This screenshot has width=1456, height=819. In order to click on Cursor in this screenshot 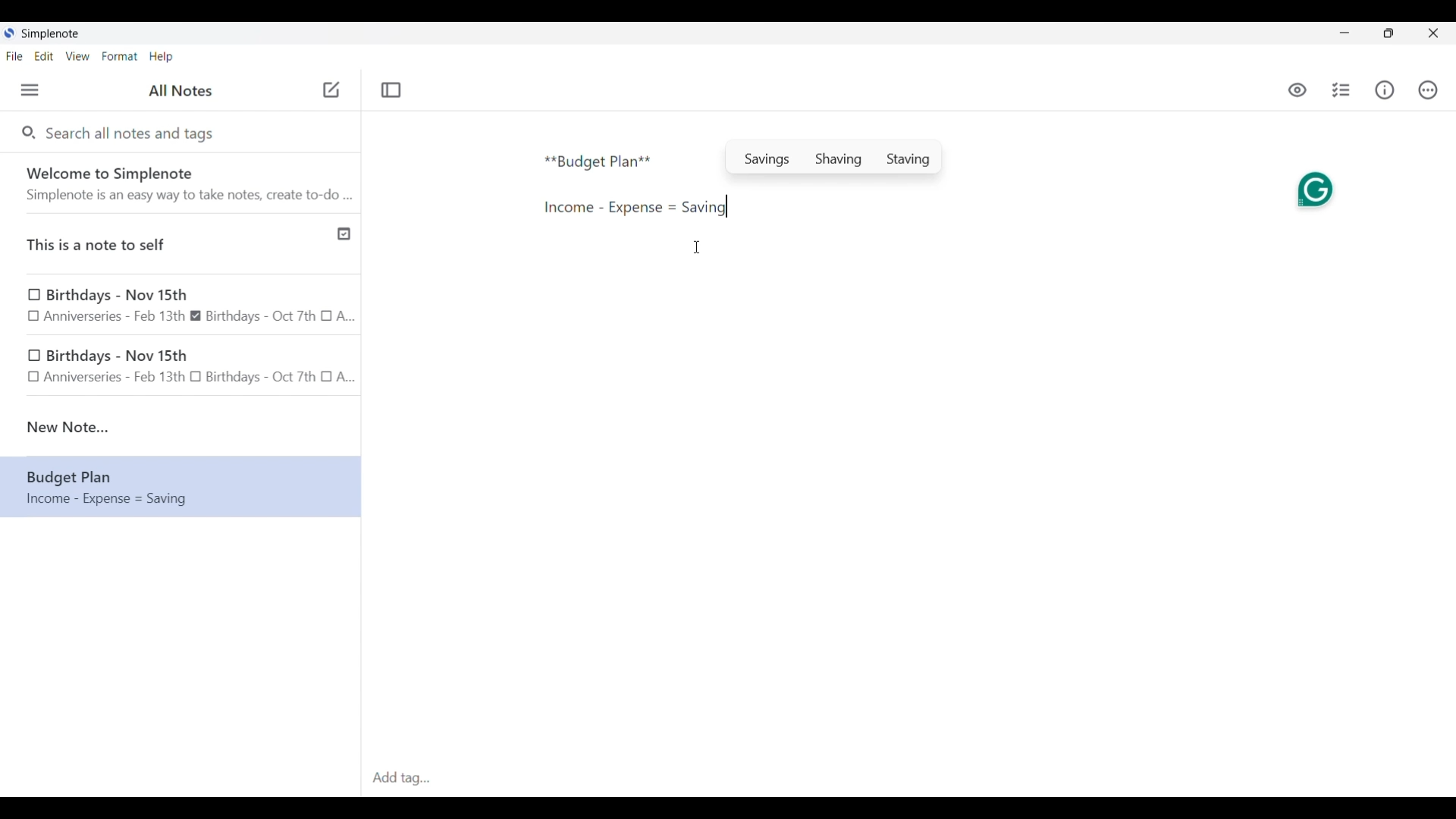, I will do `click(696, 247)`.